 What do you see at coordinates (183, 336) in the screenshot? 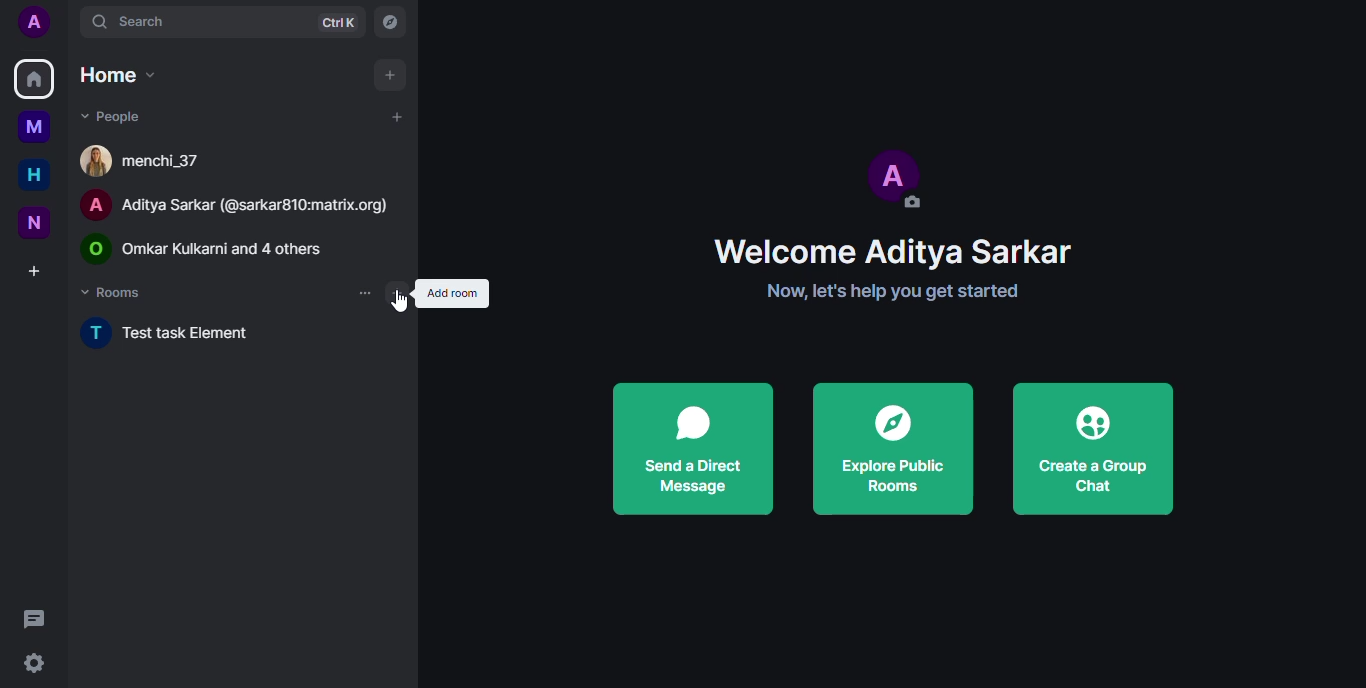
I see `test task element` at bounding box center [183, 336].